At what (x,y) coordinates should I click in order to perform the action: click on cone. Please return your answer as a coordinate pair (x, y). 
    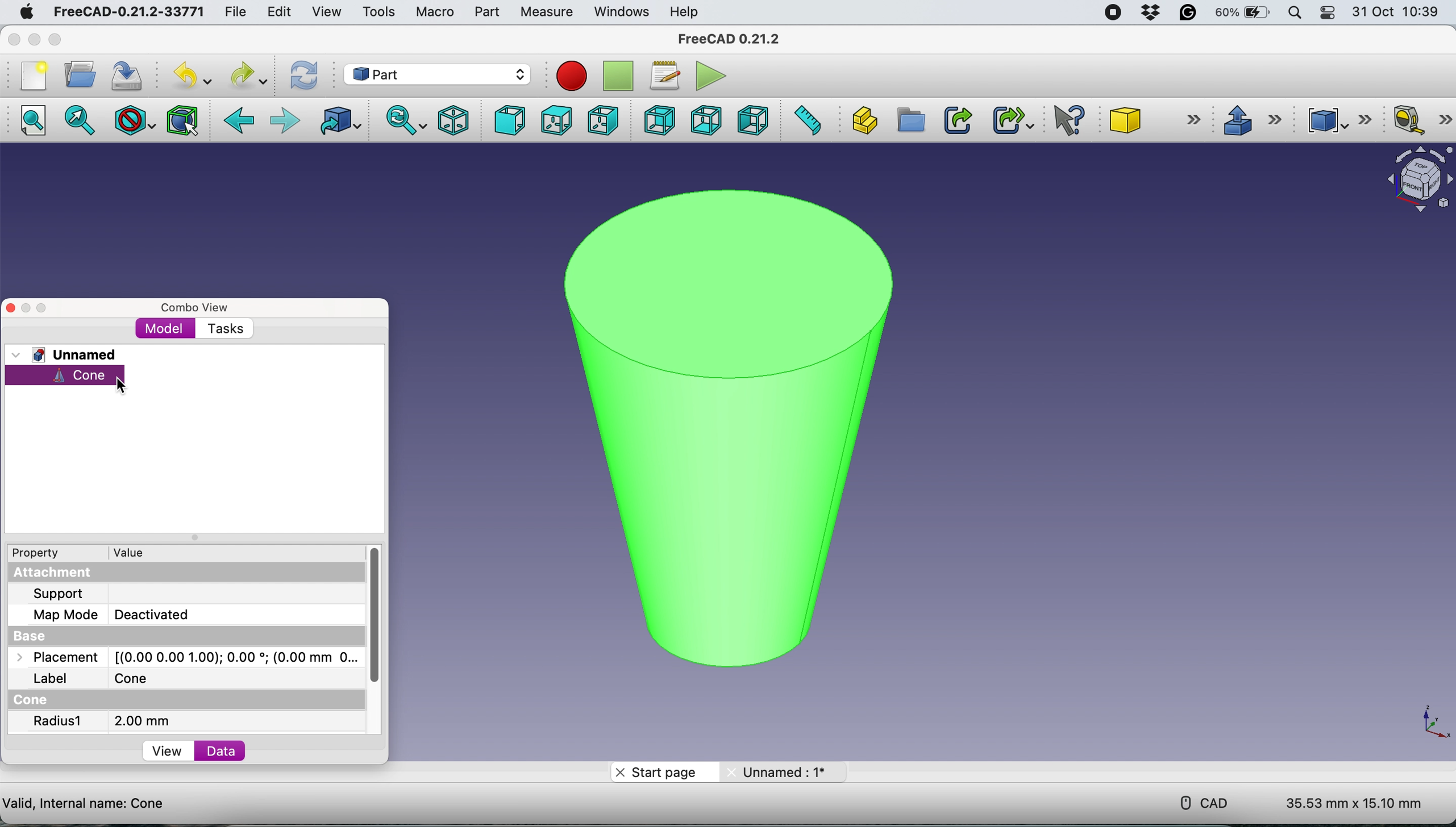
    Looking at the image, I should click on (65, 375).